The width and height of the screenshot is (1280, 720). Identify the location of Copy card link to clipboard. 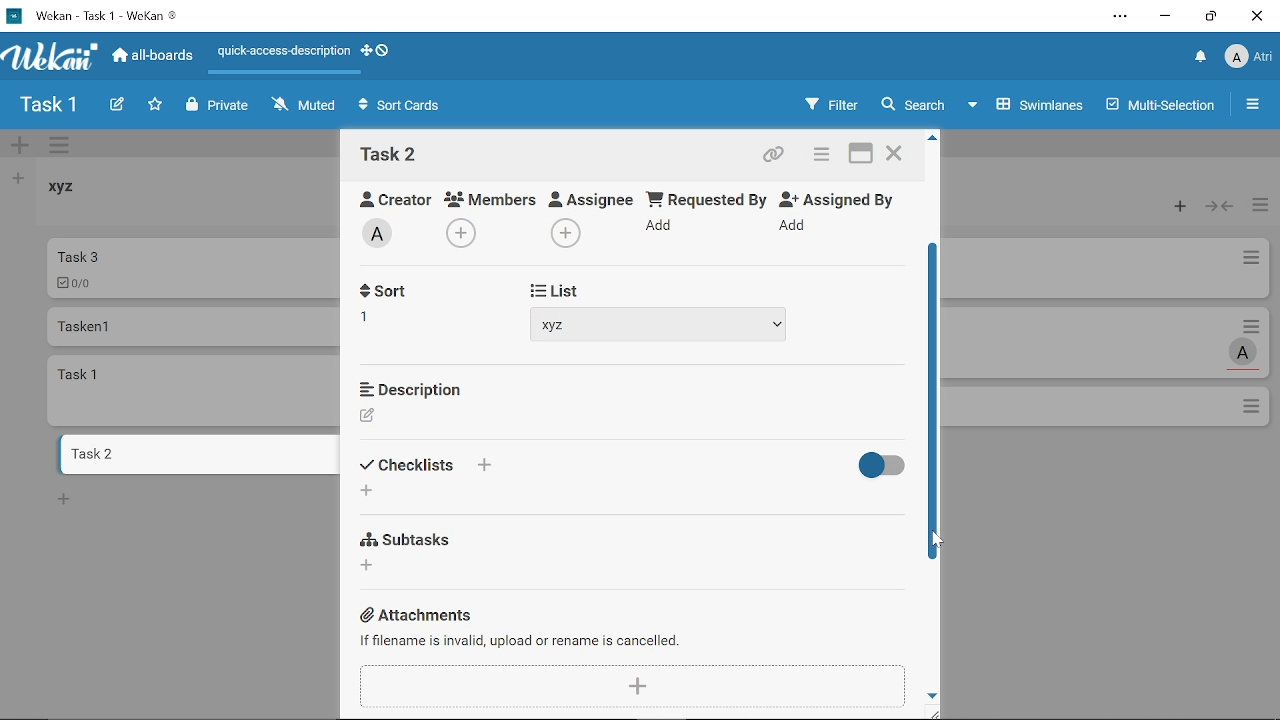
(776, 157).